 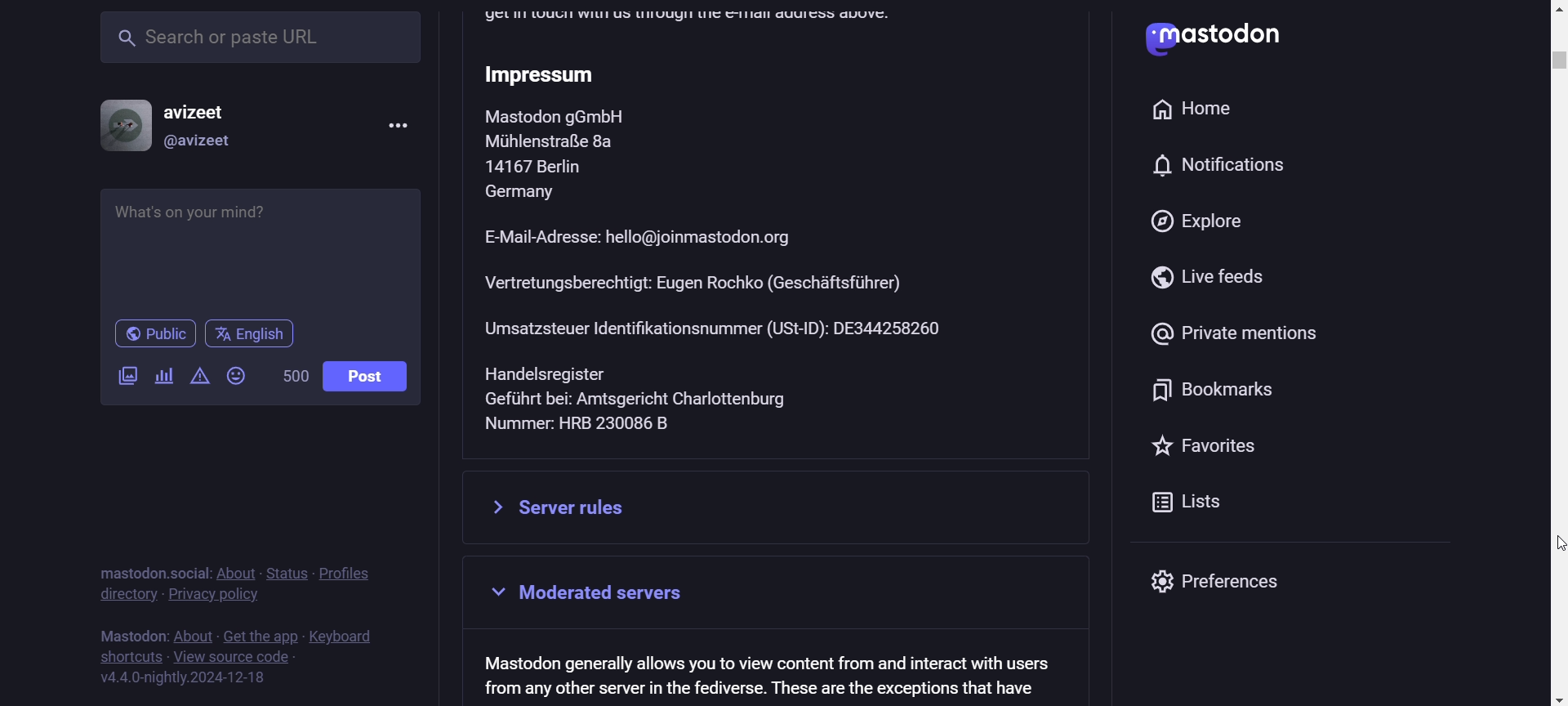 What do you see at coordinates (149, 564) in the screenshot?
I see `text` at bounding box center [149, 564].